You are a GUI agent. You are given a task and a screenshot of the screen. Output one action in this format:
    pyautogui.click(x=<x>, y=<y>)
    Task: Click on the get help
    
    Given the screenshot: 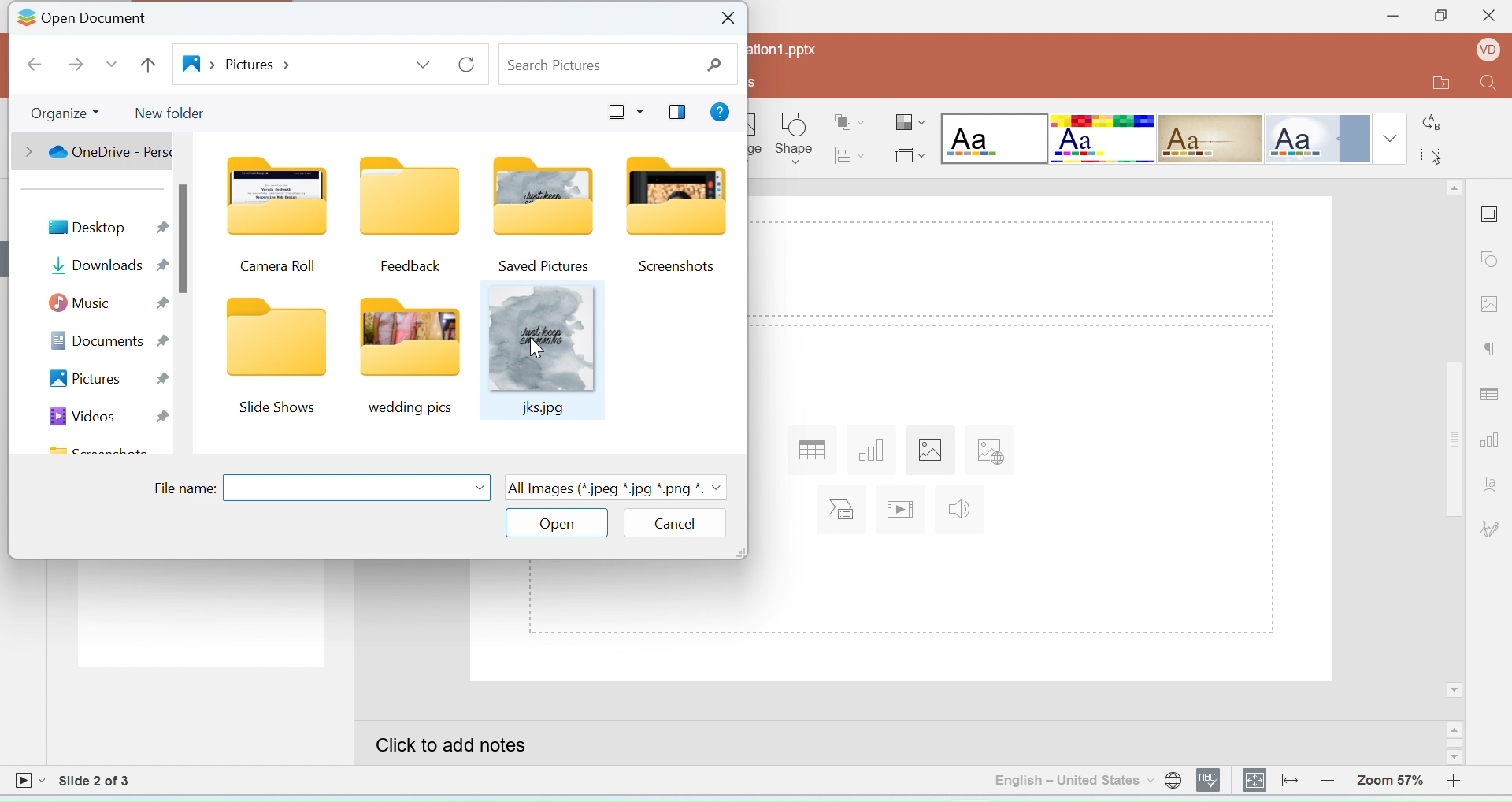 What is the action you would take?
    pyautogui.click(x=721, y=113)
    